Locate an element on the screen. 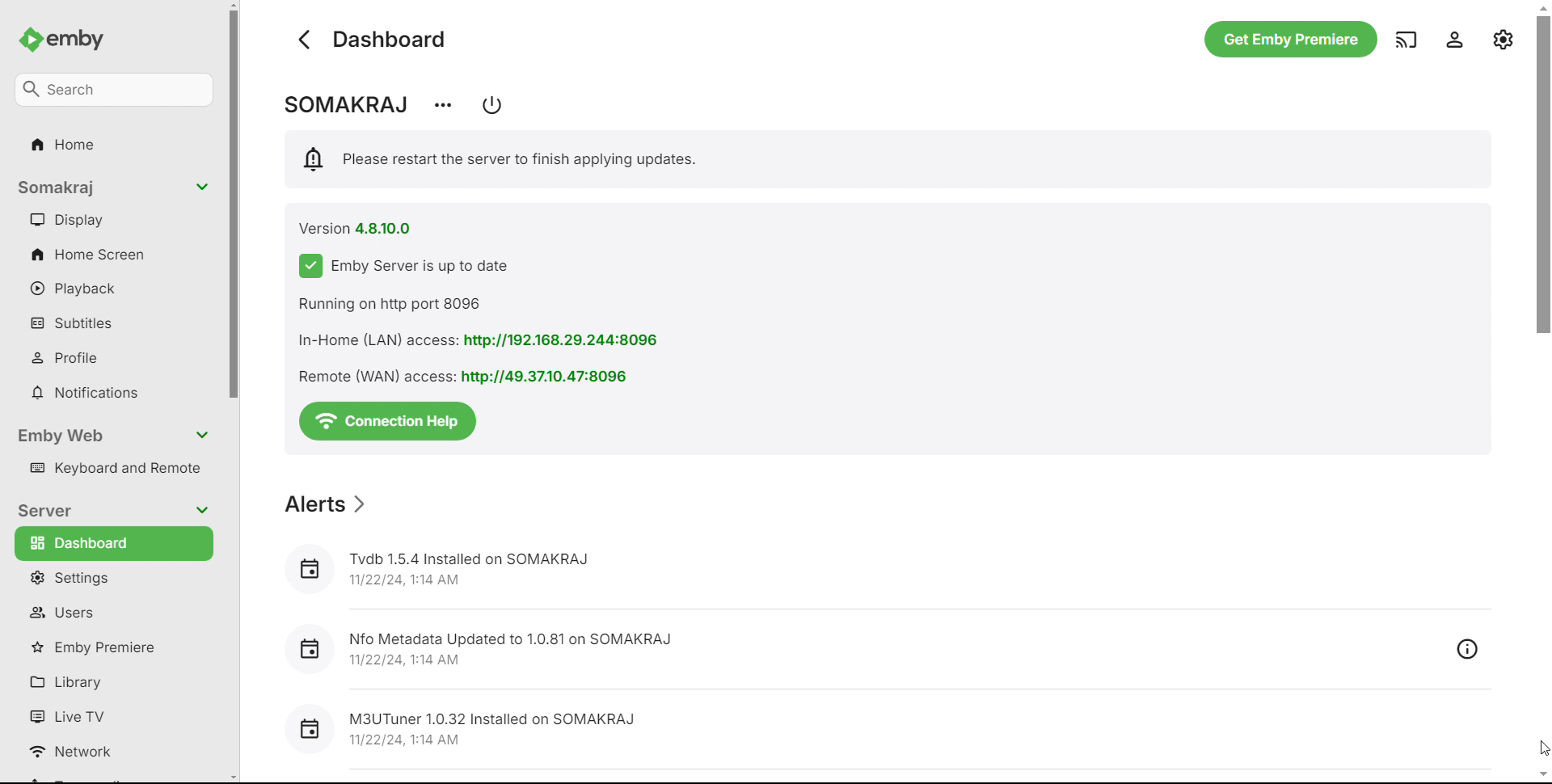 This screenshot has height=784, width=1552. Dashboard is located at coordinates (394, 39).